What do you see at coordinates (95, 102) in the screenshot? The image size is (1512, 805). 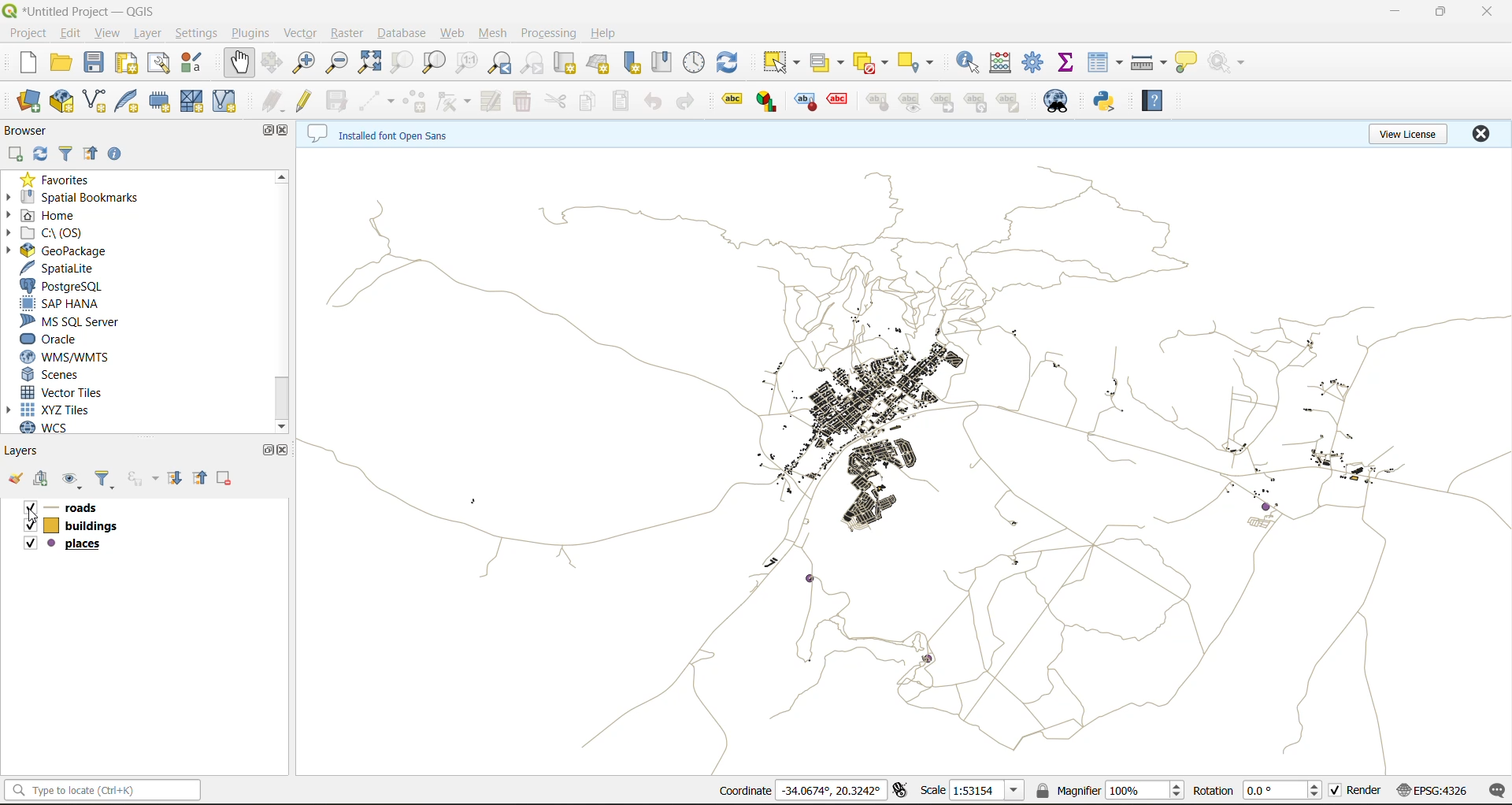 I see `new shapefile` at bounding box center [95, 102].